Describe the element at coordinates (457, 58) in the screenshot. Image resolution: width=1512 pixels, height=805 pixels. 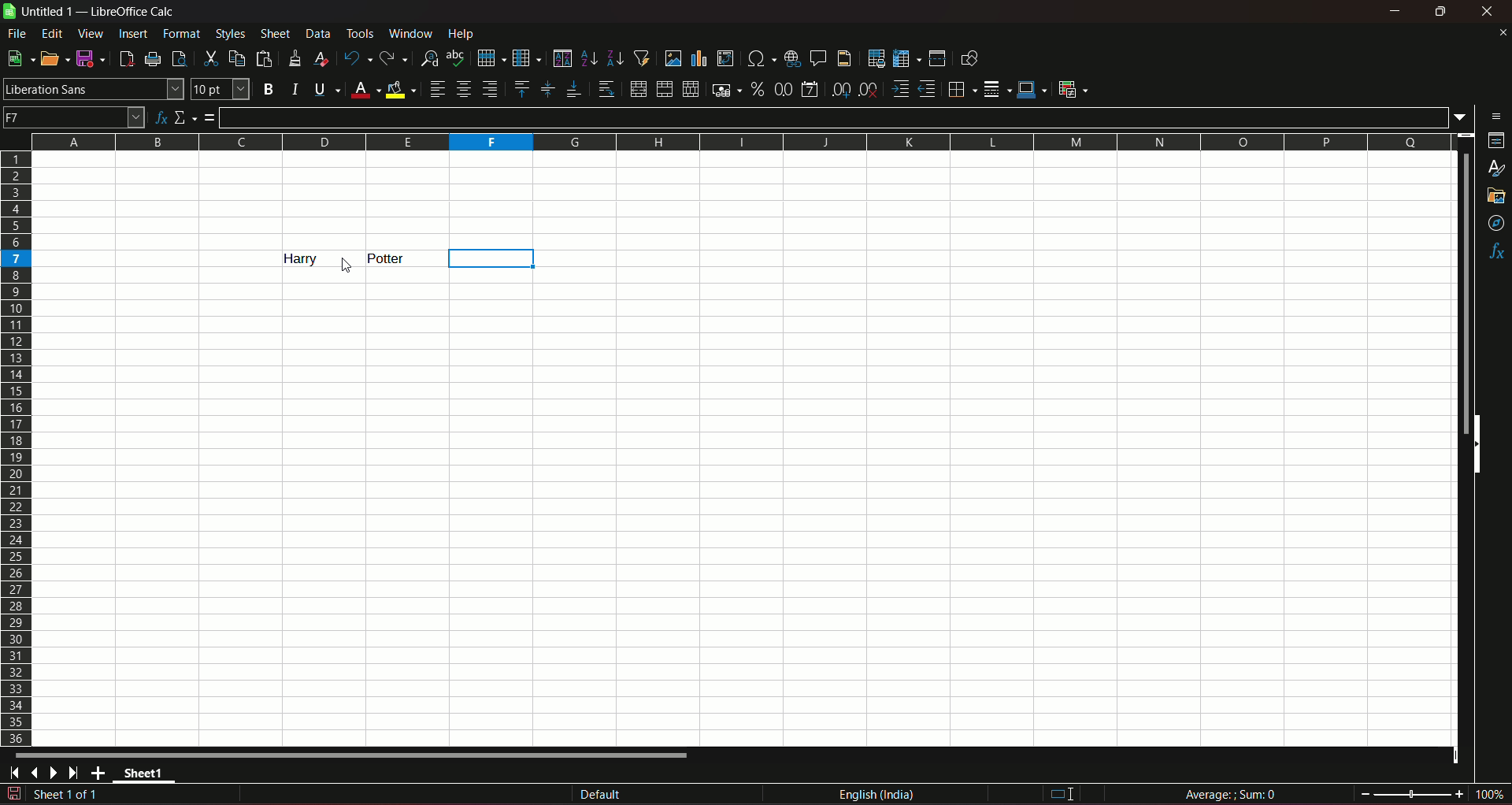
I see `spelling` at that location.